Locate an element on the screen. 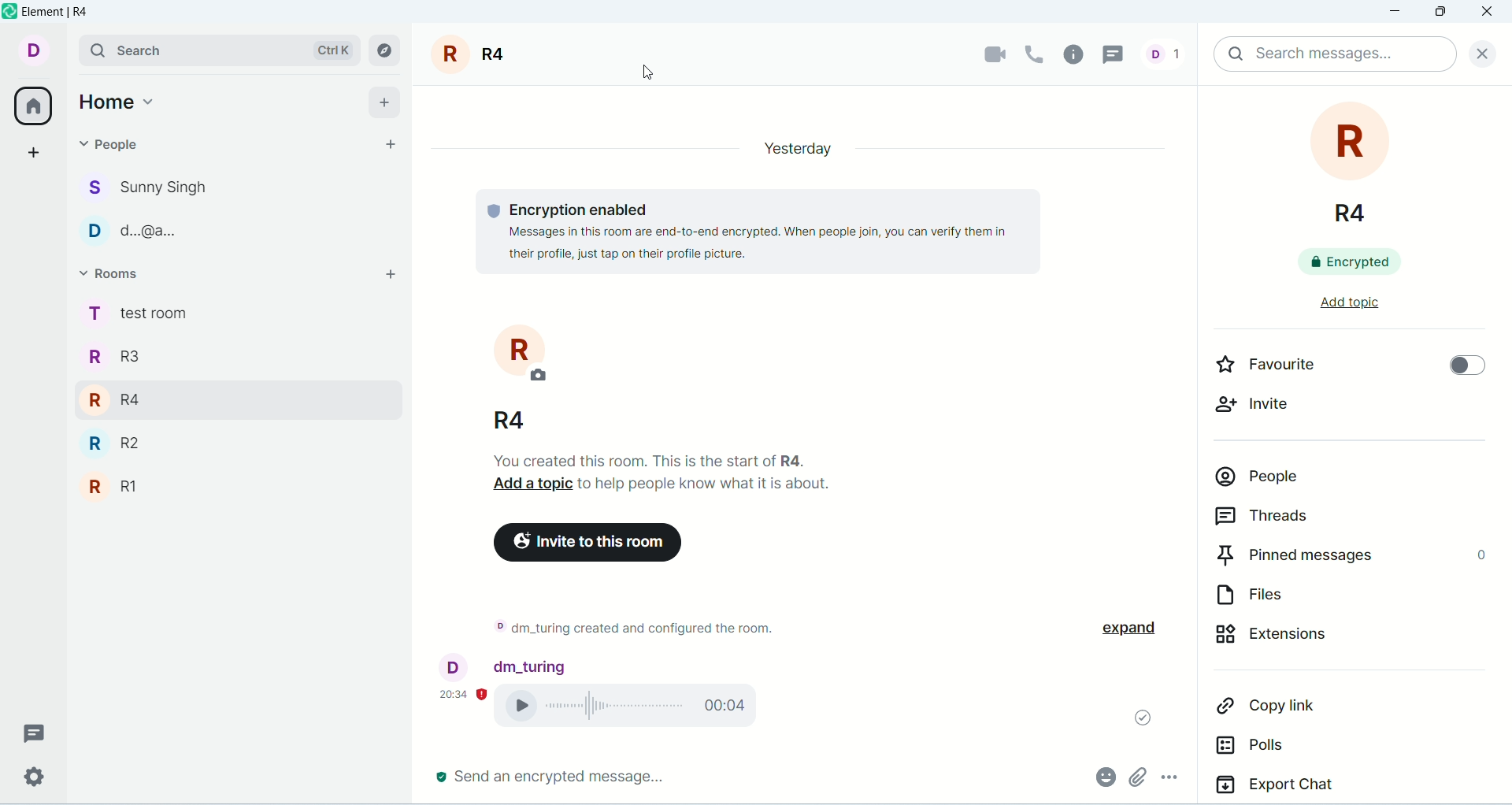  threads is located at coordinates (1119, 53).